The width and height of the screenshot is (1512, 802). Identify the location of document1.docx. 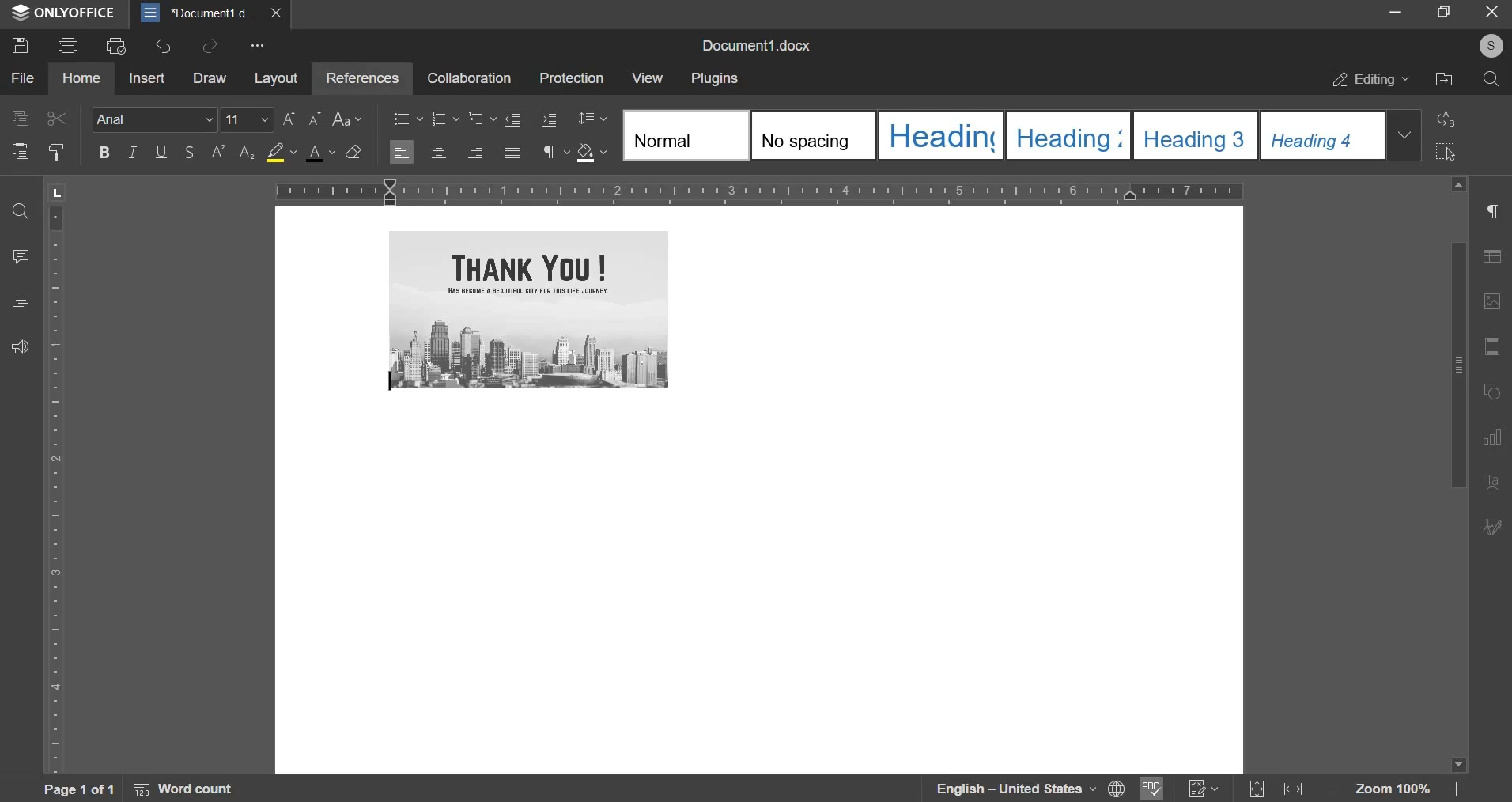
(760, 44).